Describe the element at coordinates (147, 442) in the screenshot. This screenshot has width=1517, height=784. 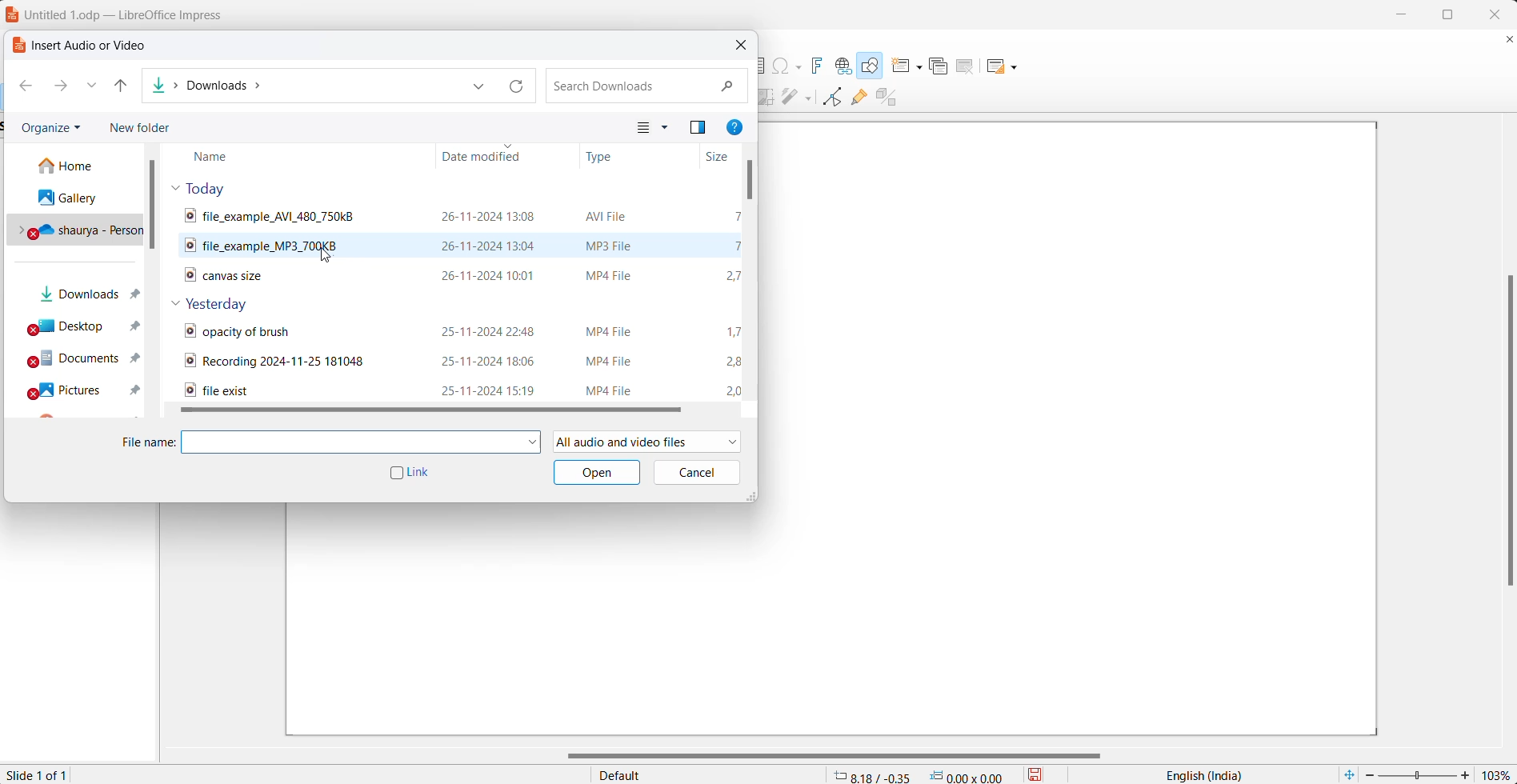
I see `file name` at that location.